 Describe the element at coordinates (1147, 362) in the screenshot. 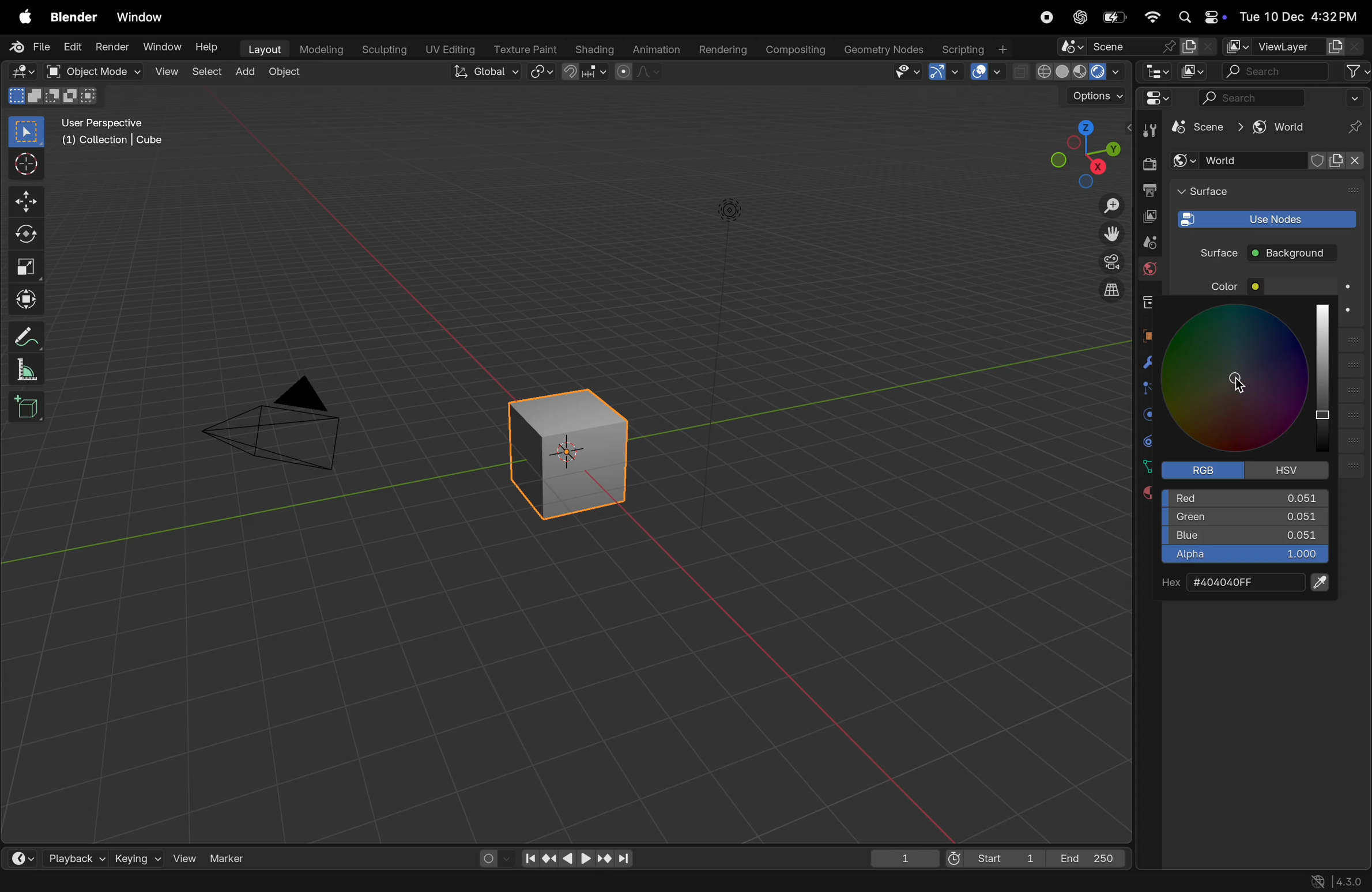

I see `modifiers` at that location.